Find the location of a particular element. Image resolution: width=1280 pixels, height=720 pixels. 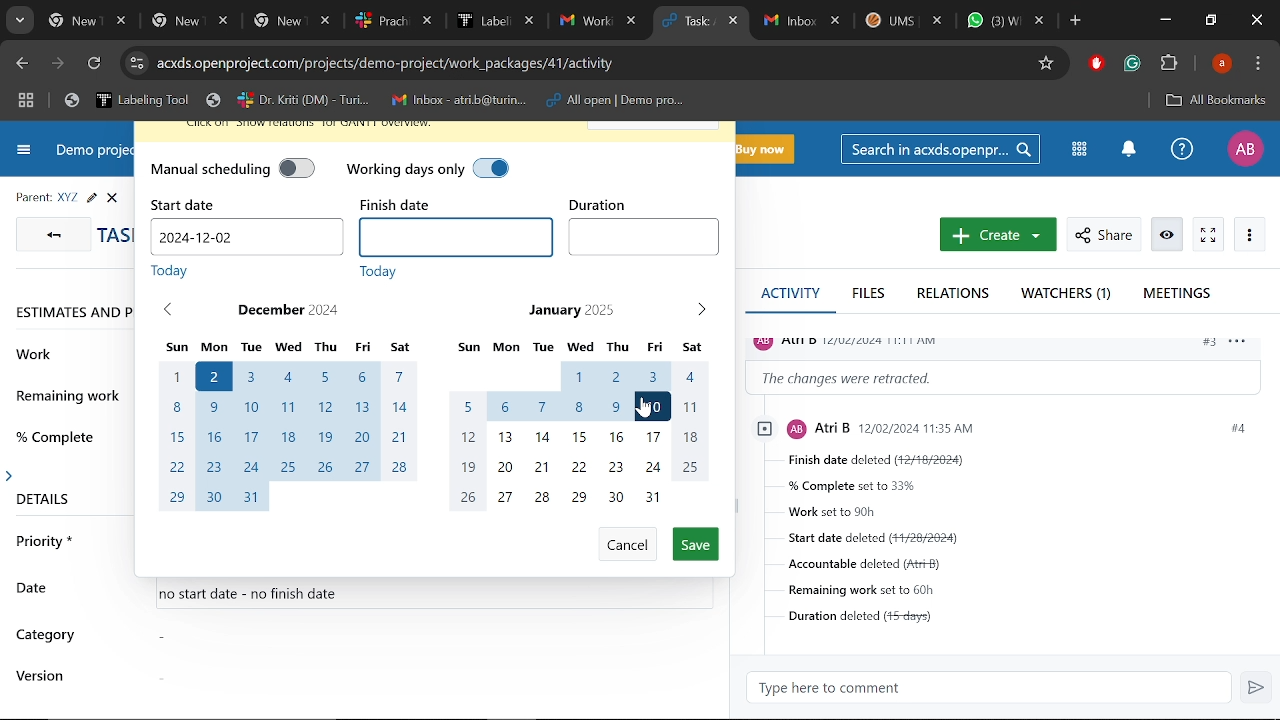

More is located at coordinates (1248, 233).